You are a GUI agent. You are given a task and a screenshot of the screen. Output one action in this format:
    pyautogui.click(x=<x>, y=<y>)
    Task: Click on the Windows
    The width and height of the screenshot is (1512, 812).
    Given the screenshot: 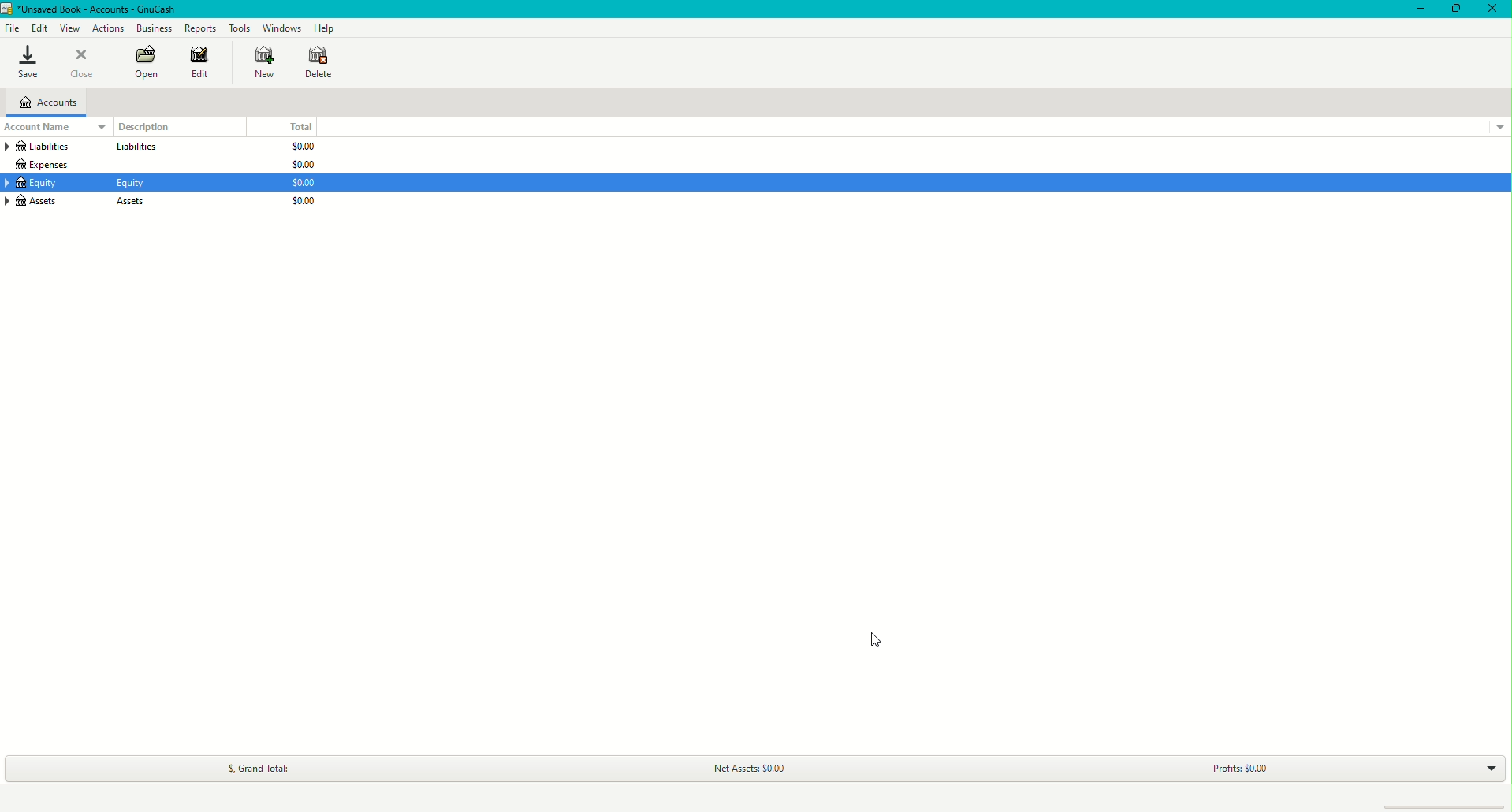 What is the action you would take?
    pyautogui.click(x=281, y=28)
    